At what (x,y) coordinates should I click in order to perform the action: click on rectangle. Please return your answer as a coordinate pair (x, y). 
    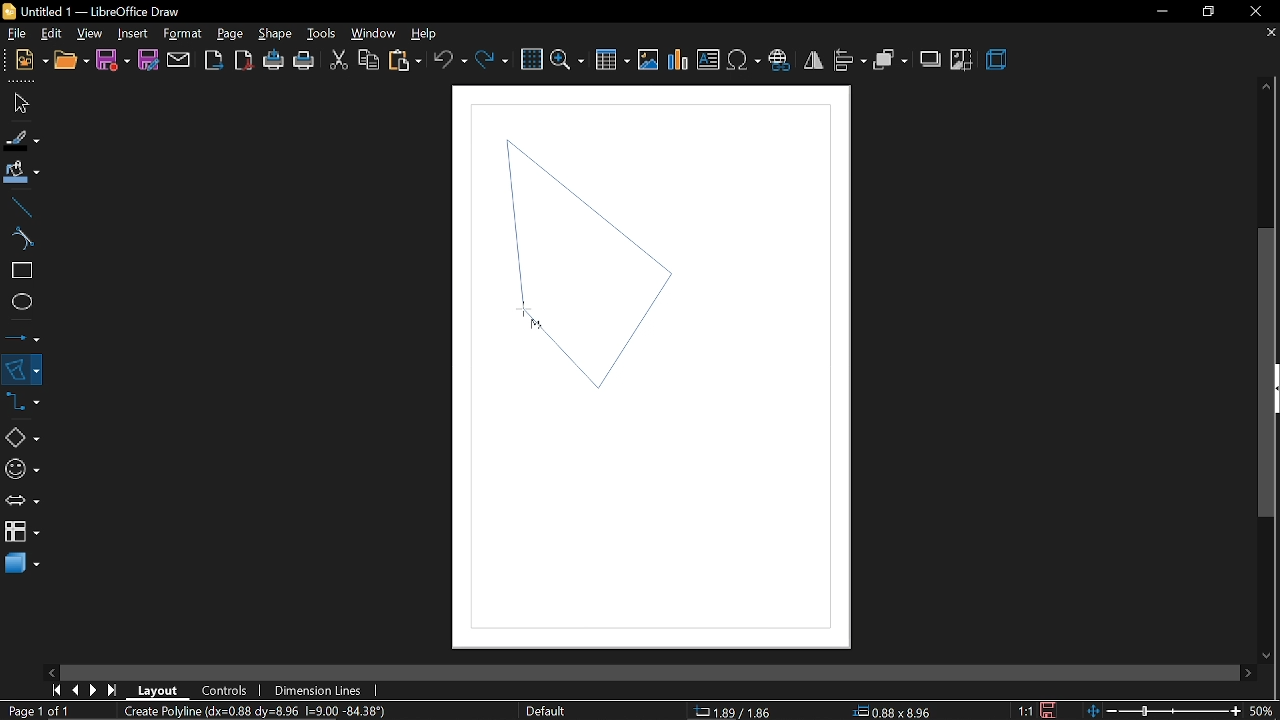
    Looking at the image, I should click on (19, 272).